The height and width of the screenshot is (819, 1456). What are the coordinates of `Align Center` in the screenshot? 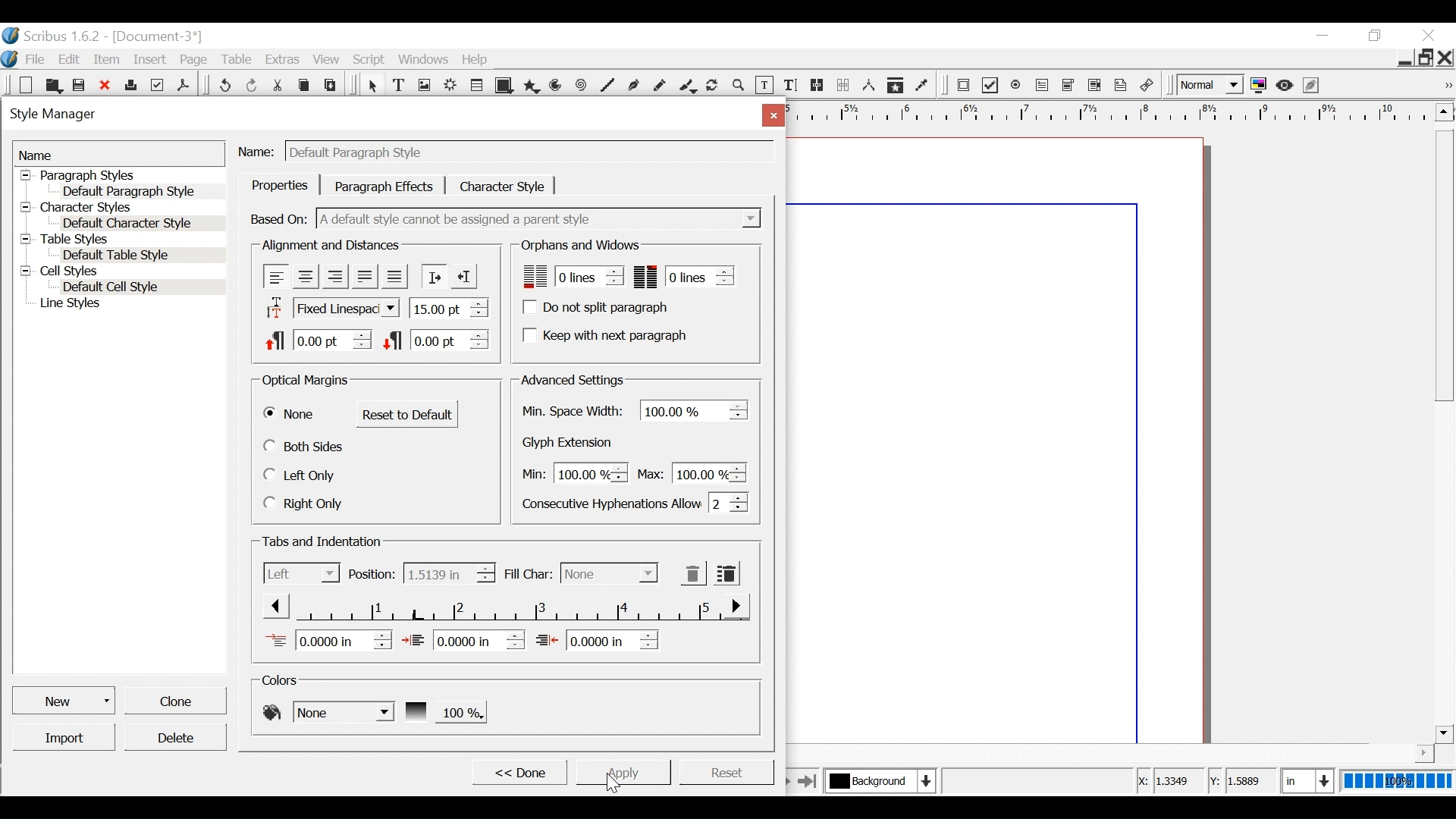 It's located at (306, 277).